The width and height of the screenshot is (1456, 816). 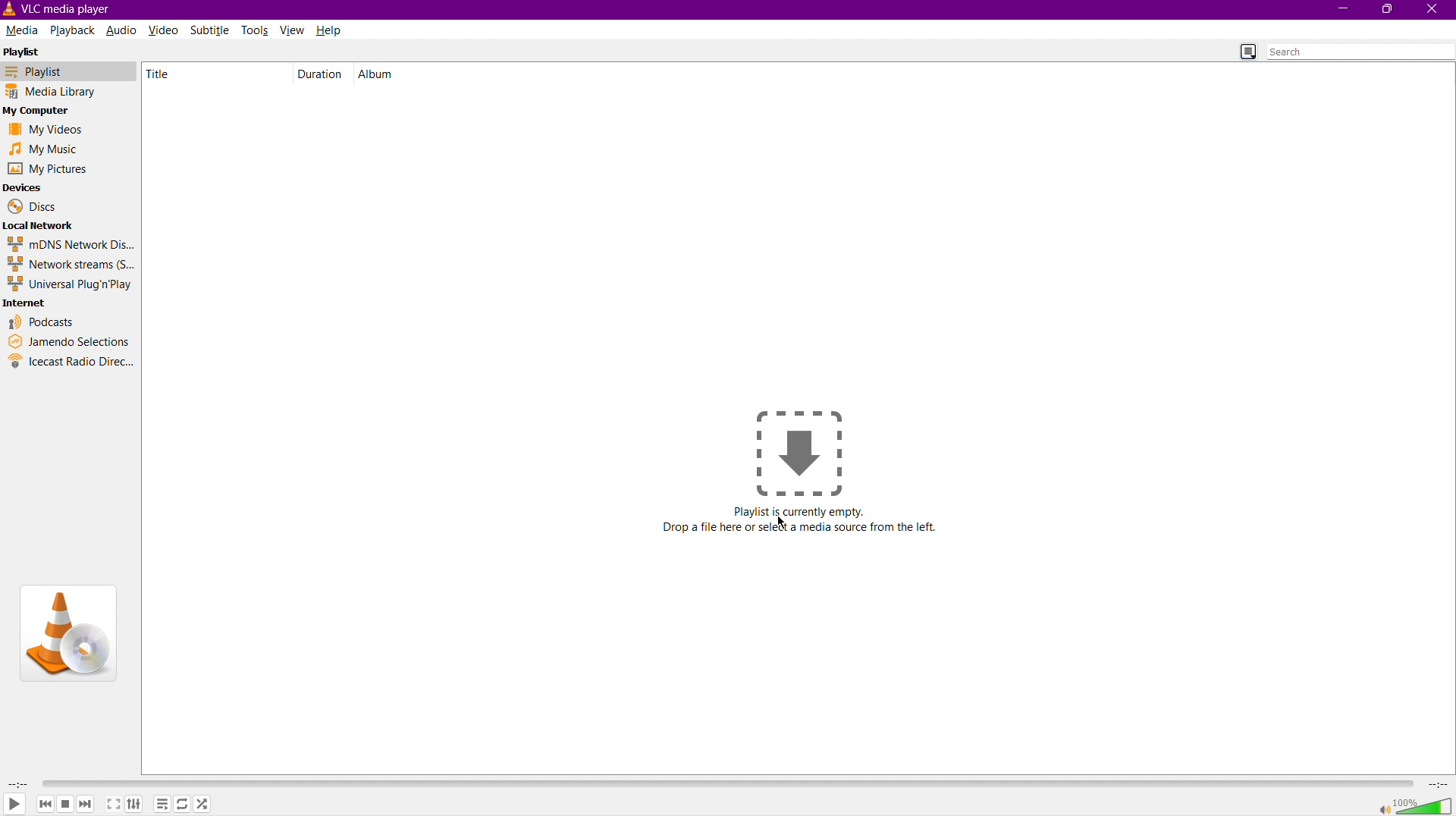 I want to click on Universal Plug'n'Play, so click(x=70, y=284).